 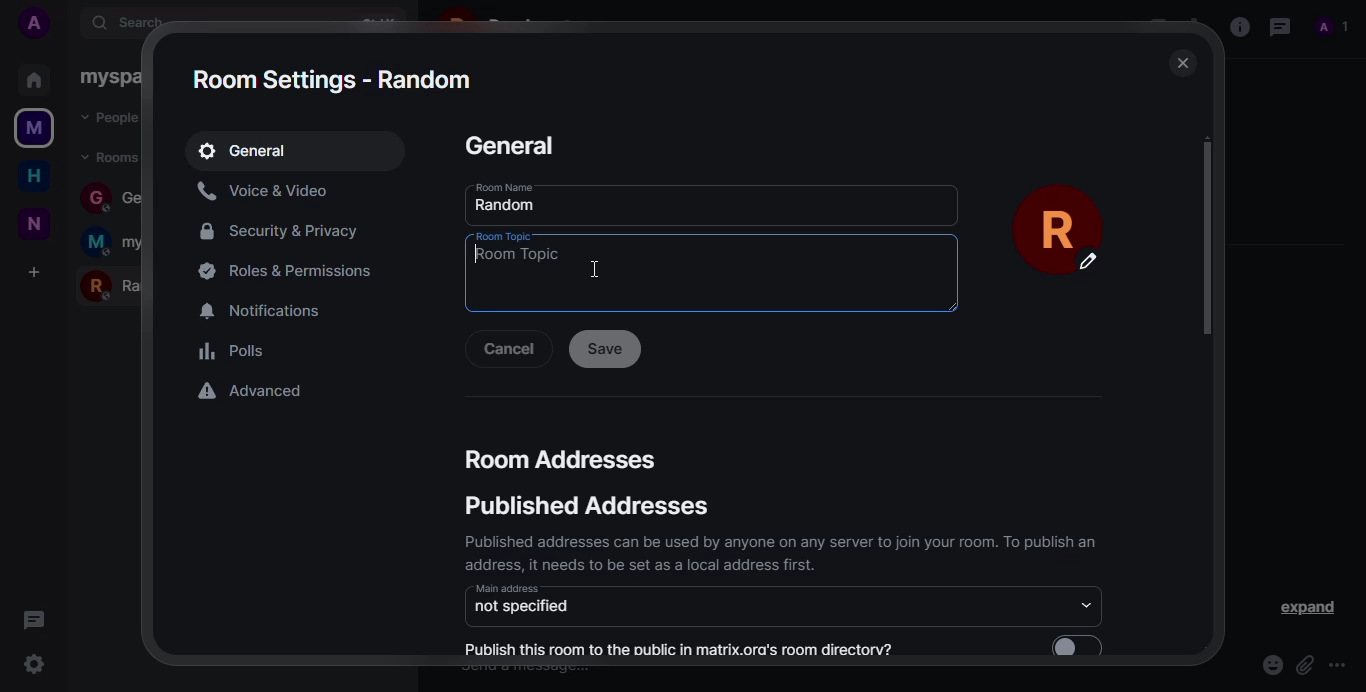 I want to click on myspace, so click(x=122, y=243).